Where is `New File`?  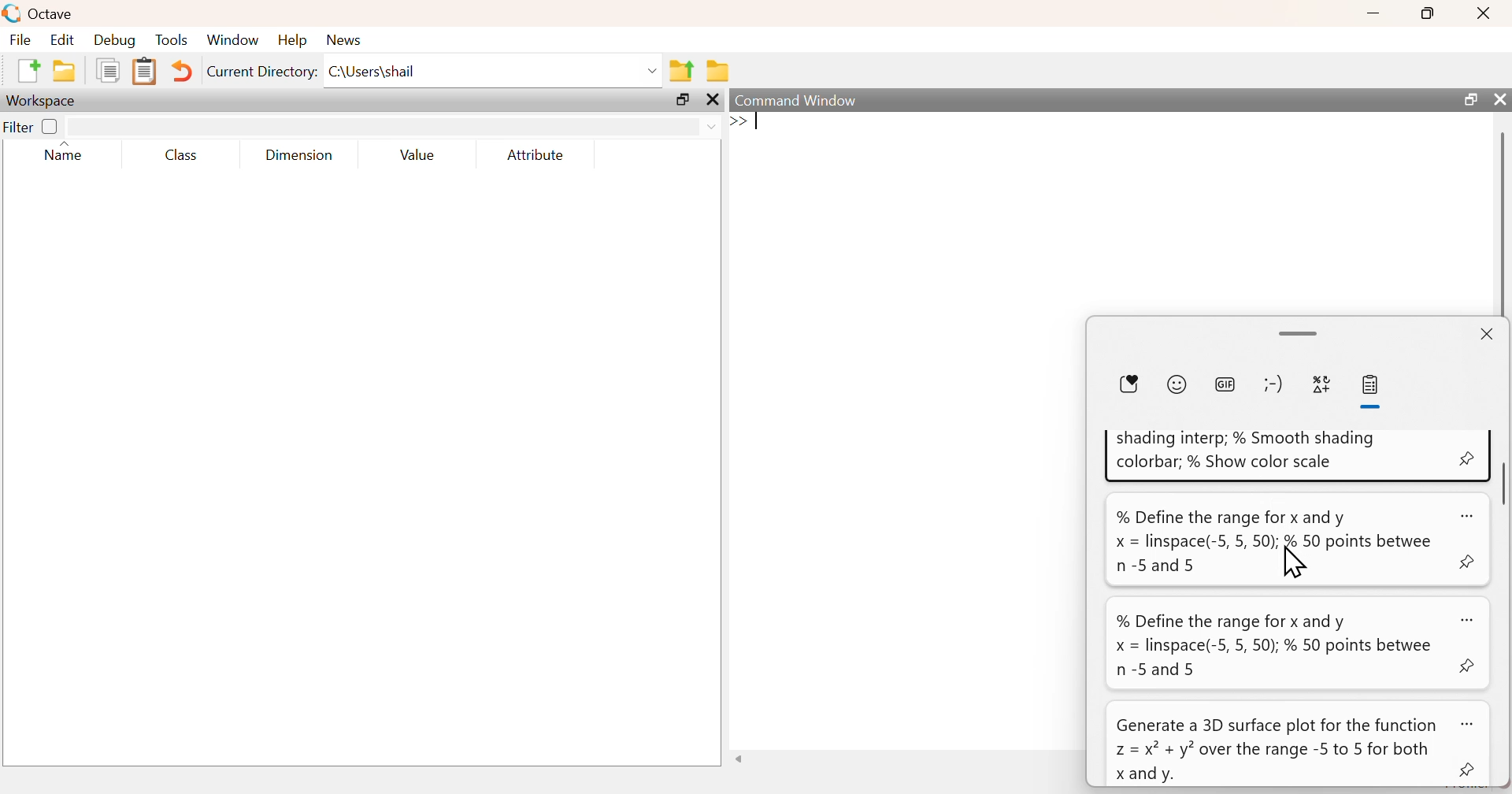 New File is located at coordinates (28, 71).